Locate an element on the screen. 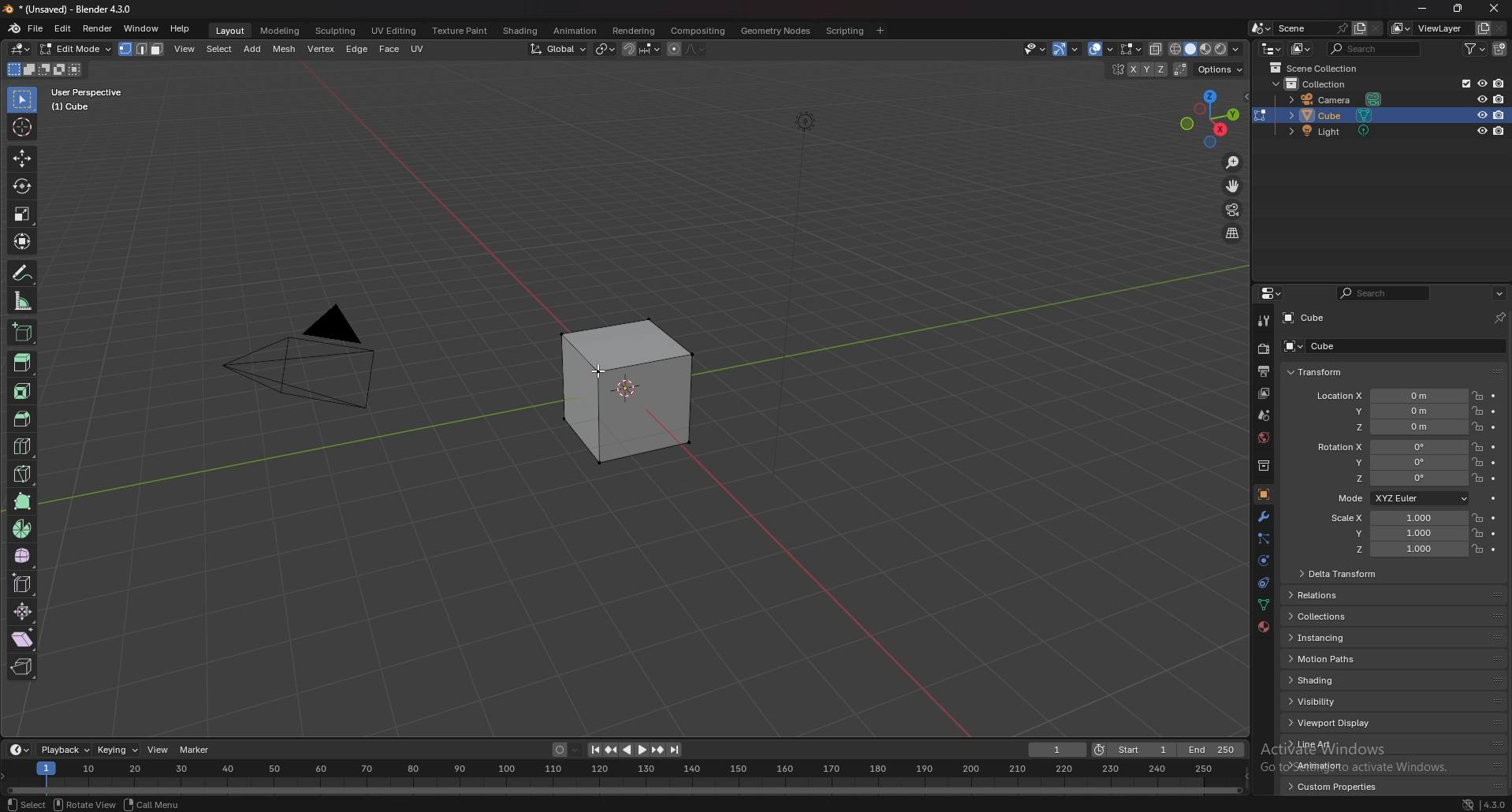 This screenshot has height=812, width=1512. knife is located at coordinates (23, 475).